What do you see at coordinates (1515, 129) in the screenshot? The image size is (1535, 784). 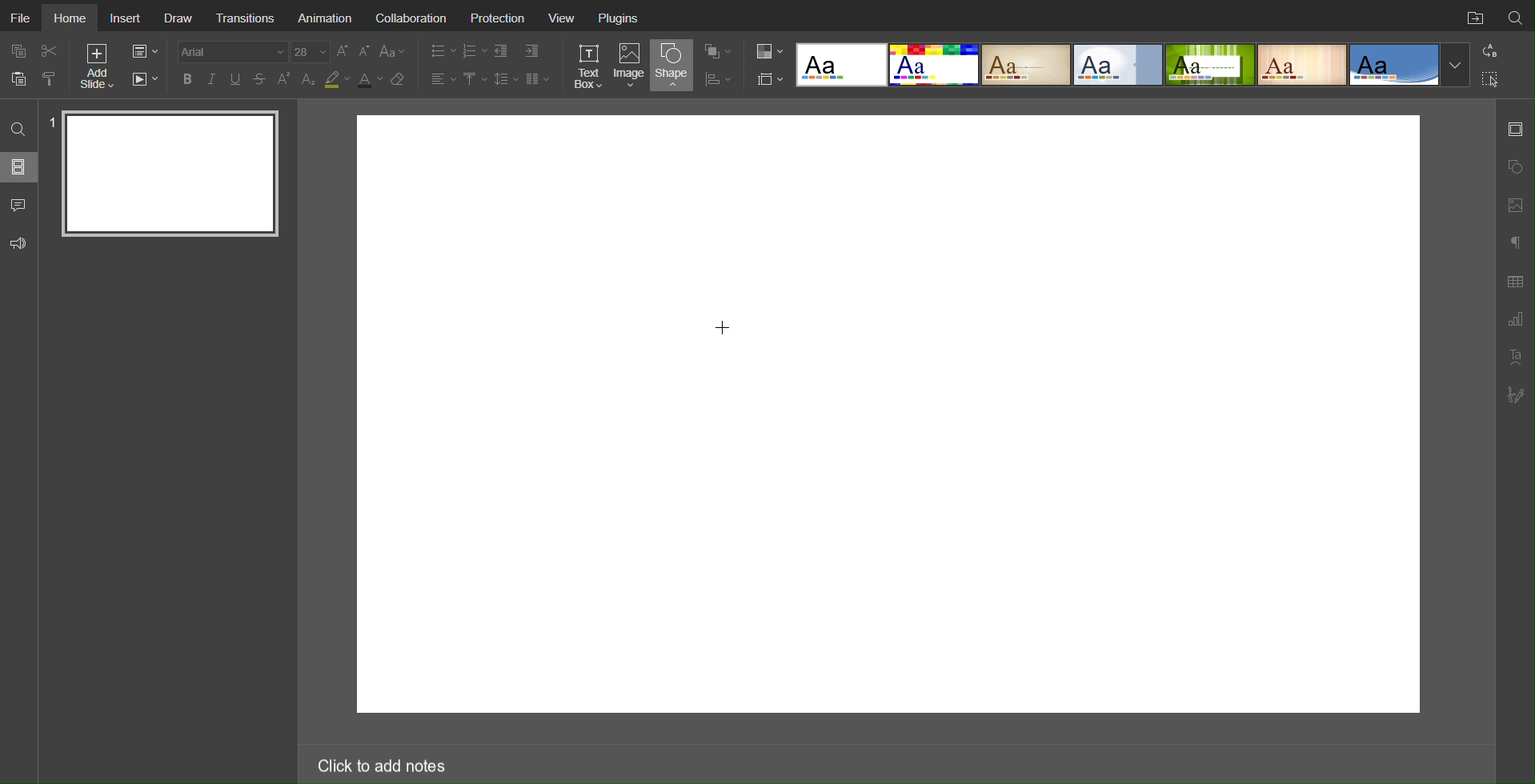 I see `Slide Settings` at bounding box center [1515, 129].